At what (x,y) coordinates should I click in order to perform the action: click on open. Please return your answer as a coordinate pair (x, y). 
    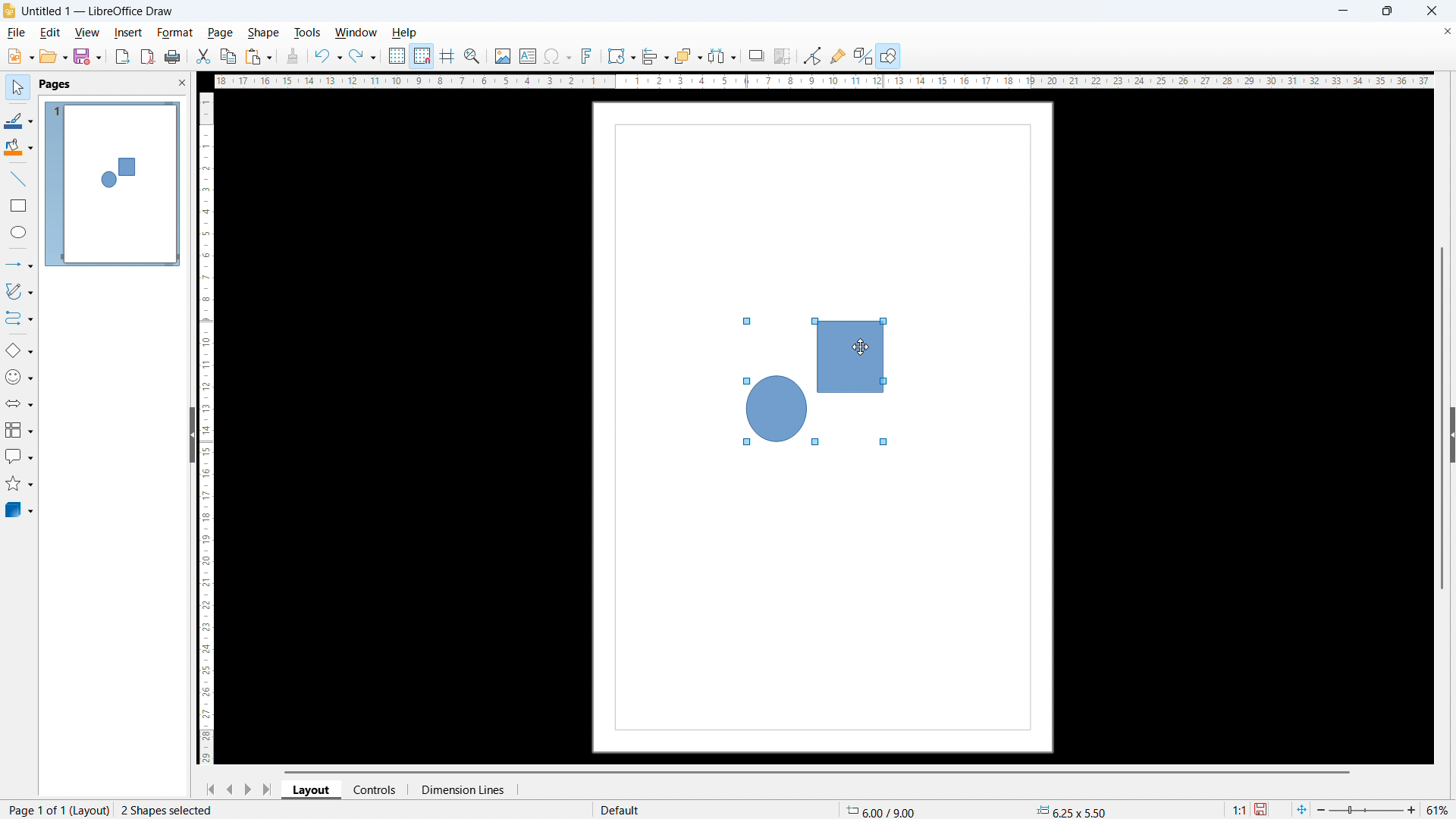
    Looking at the image, I should click on (53, 57).